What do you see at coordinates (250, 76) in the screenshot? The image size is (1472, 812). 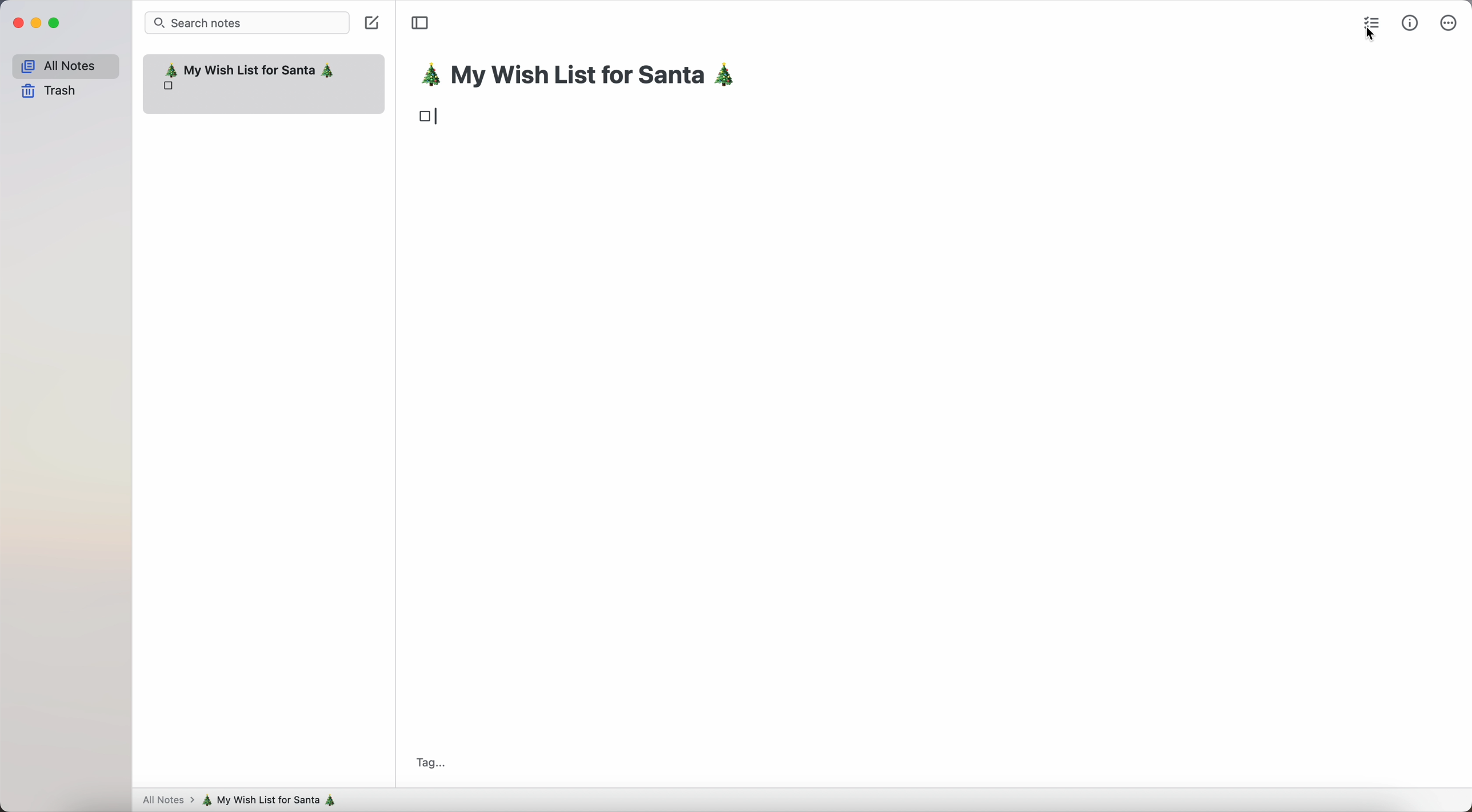 I see `My wish list for Santa` at bounding box center [250, 76].